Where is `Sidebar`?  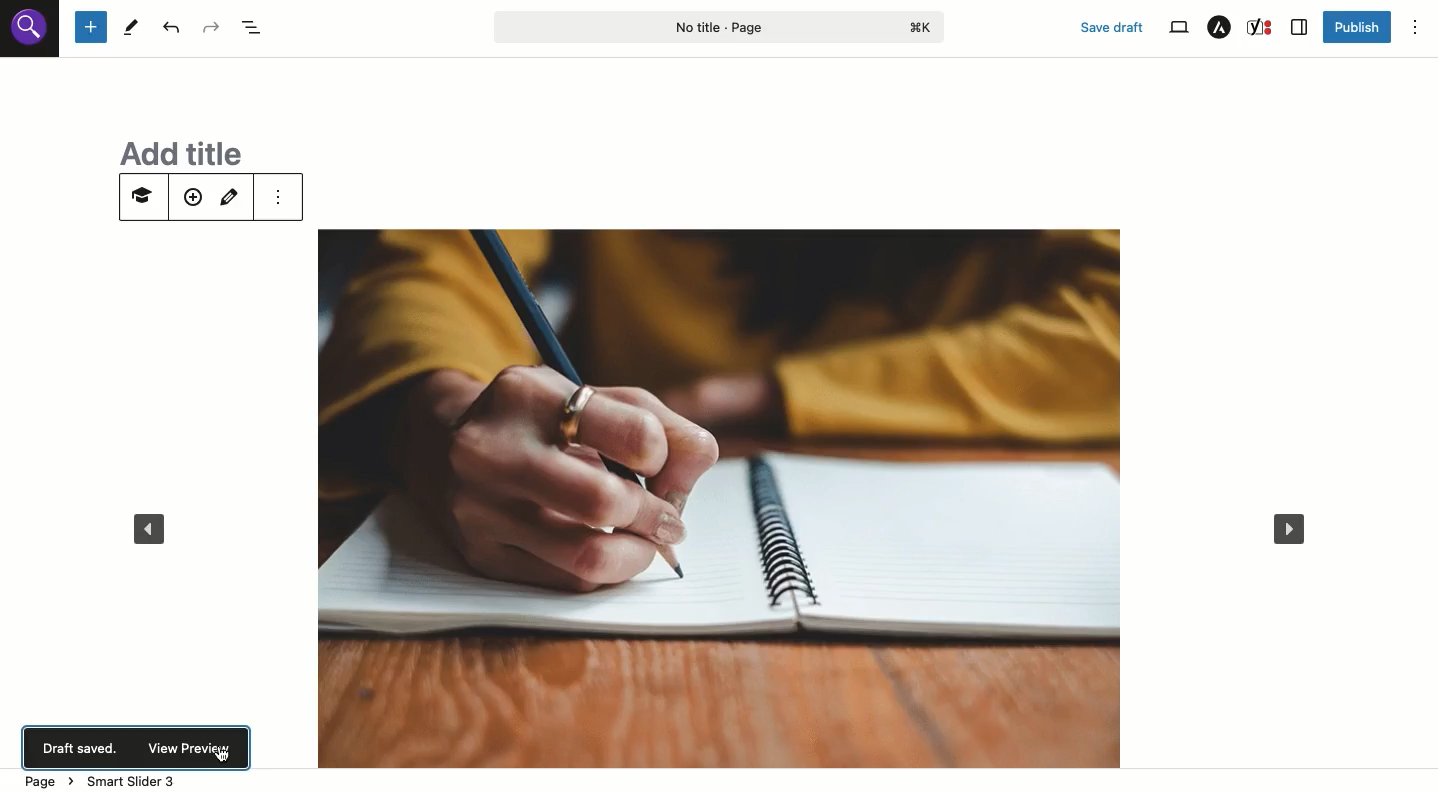 Sidebar is located at coordinates (1300, 27).